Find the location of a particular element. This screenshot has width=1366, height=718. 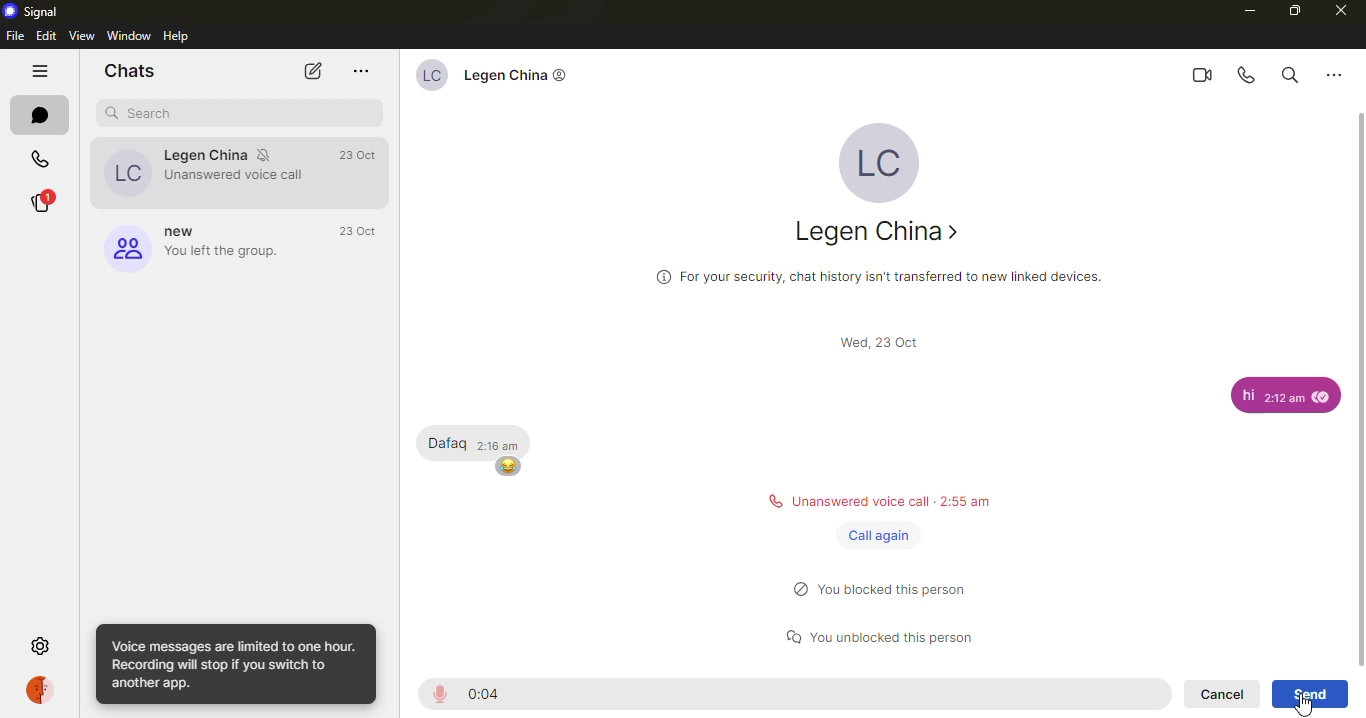

help is located at coordinates (185, 36).